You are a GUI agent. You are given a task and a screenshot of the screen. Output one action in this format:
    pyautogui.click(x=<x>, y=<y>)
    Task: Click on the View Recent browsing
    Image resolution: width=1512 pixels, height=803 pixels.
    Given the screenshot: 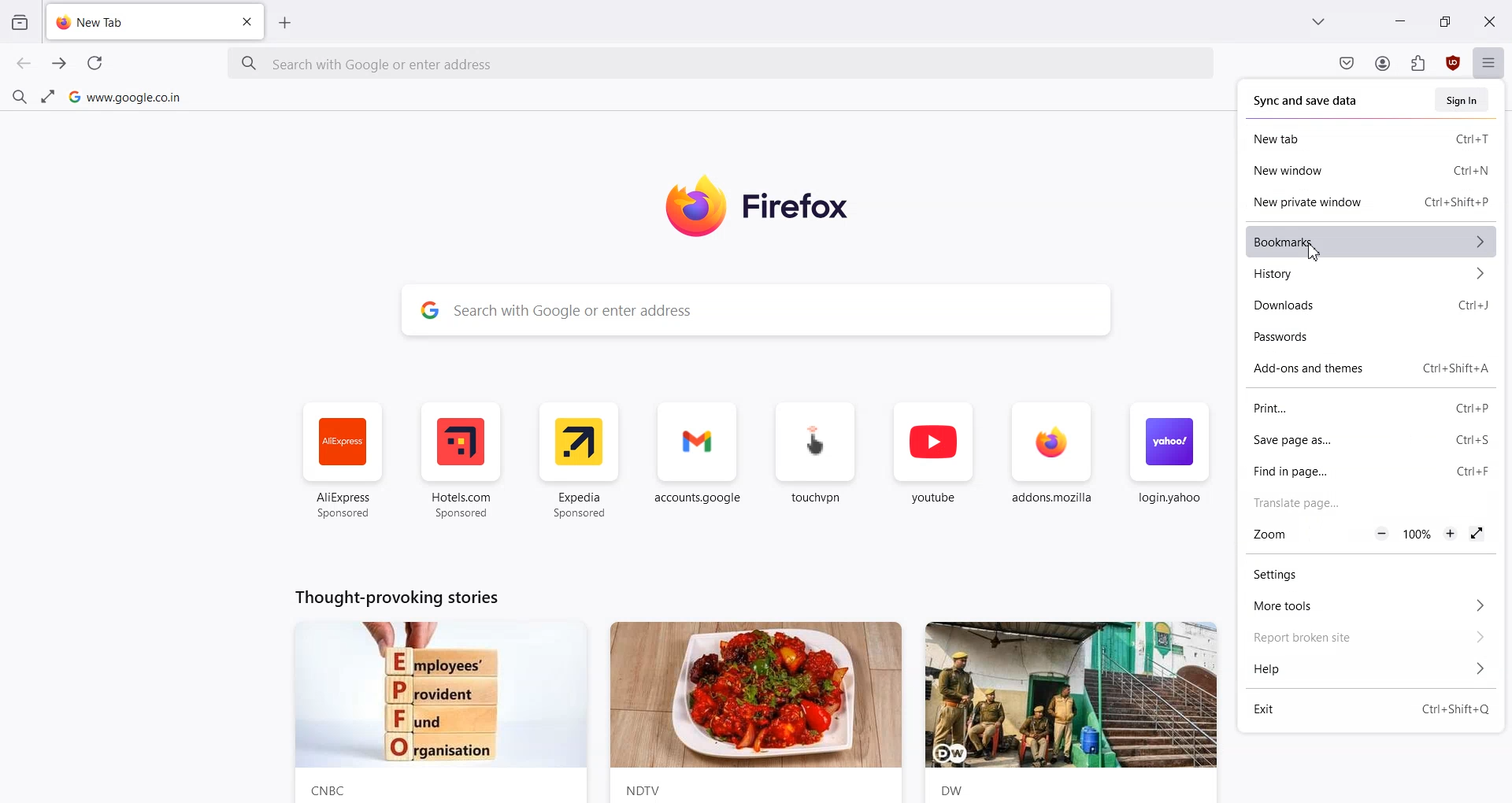 What is the action you would take?
    pyautogui.click(x=20, y=24)
    